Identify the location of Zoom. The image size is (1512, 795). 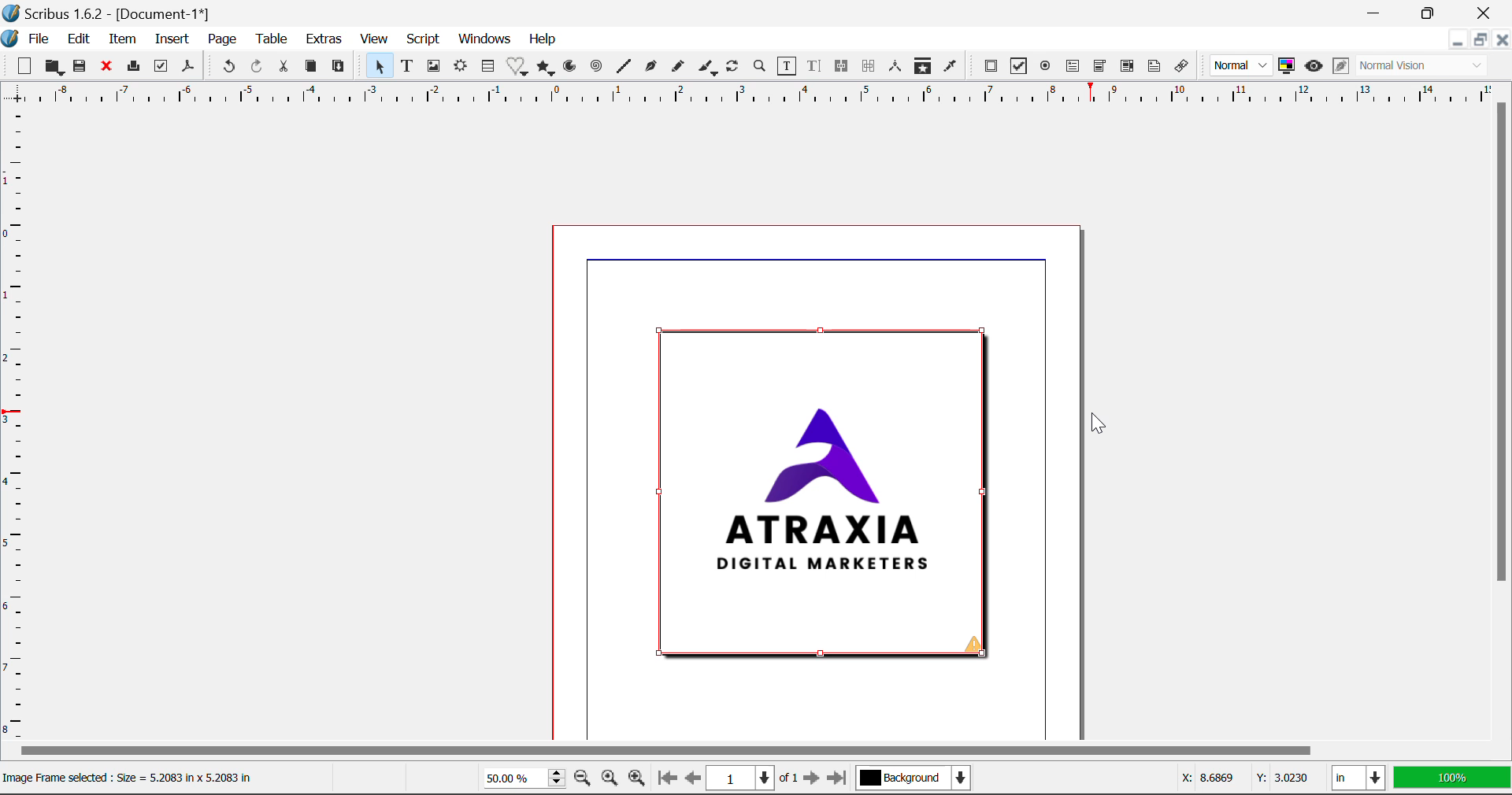
(762, 68).